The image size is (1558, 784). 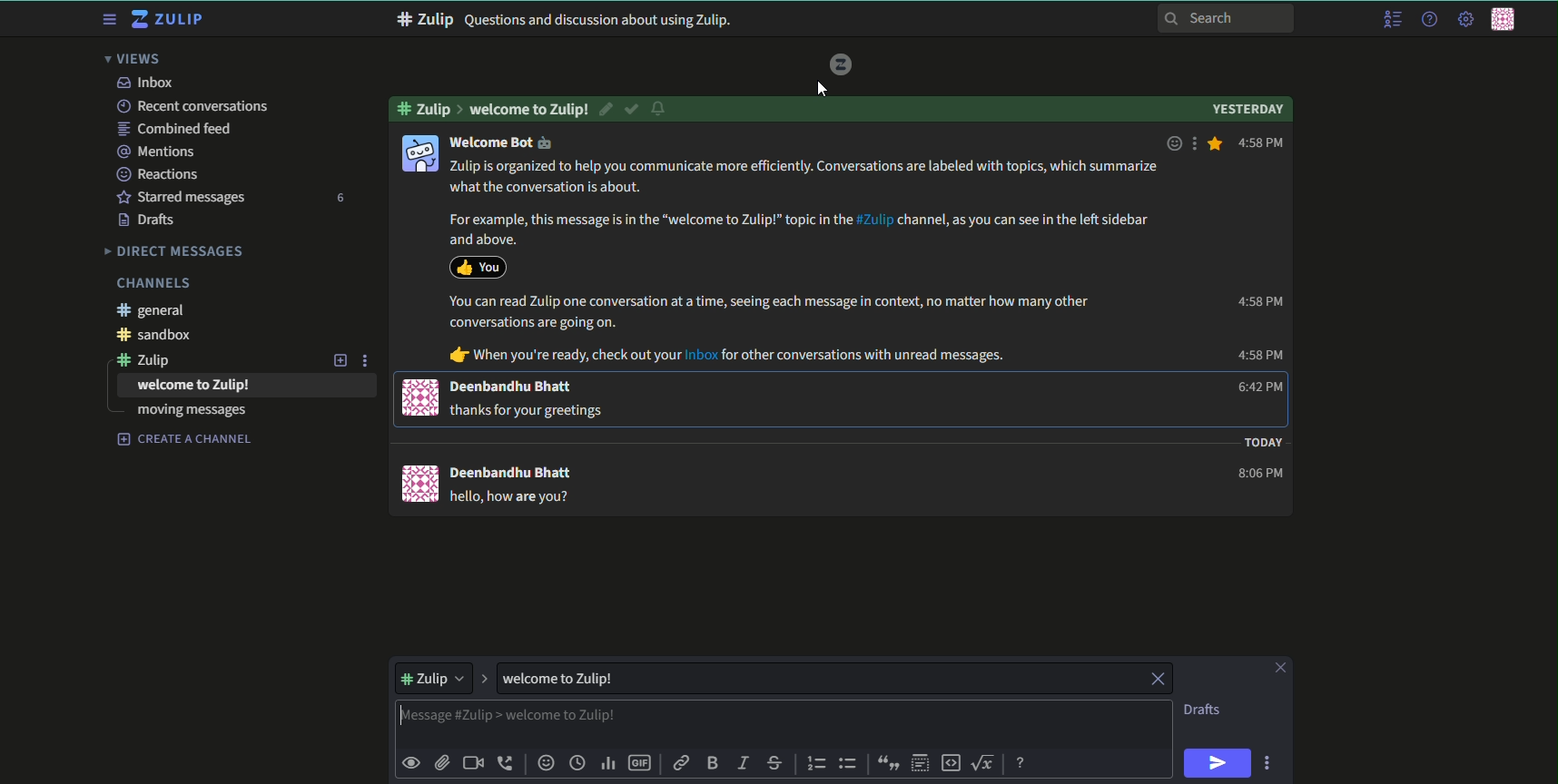 I want to click on menu, so click(x=1391, y=20).